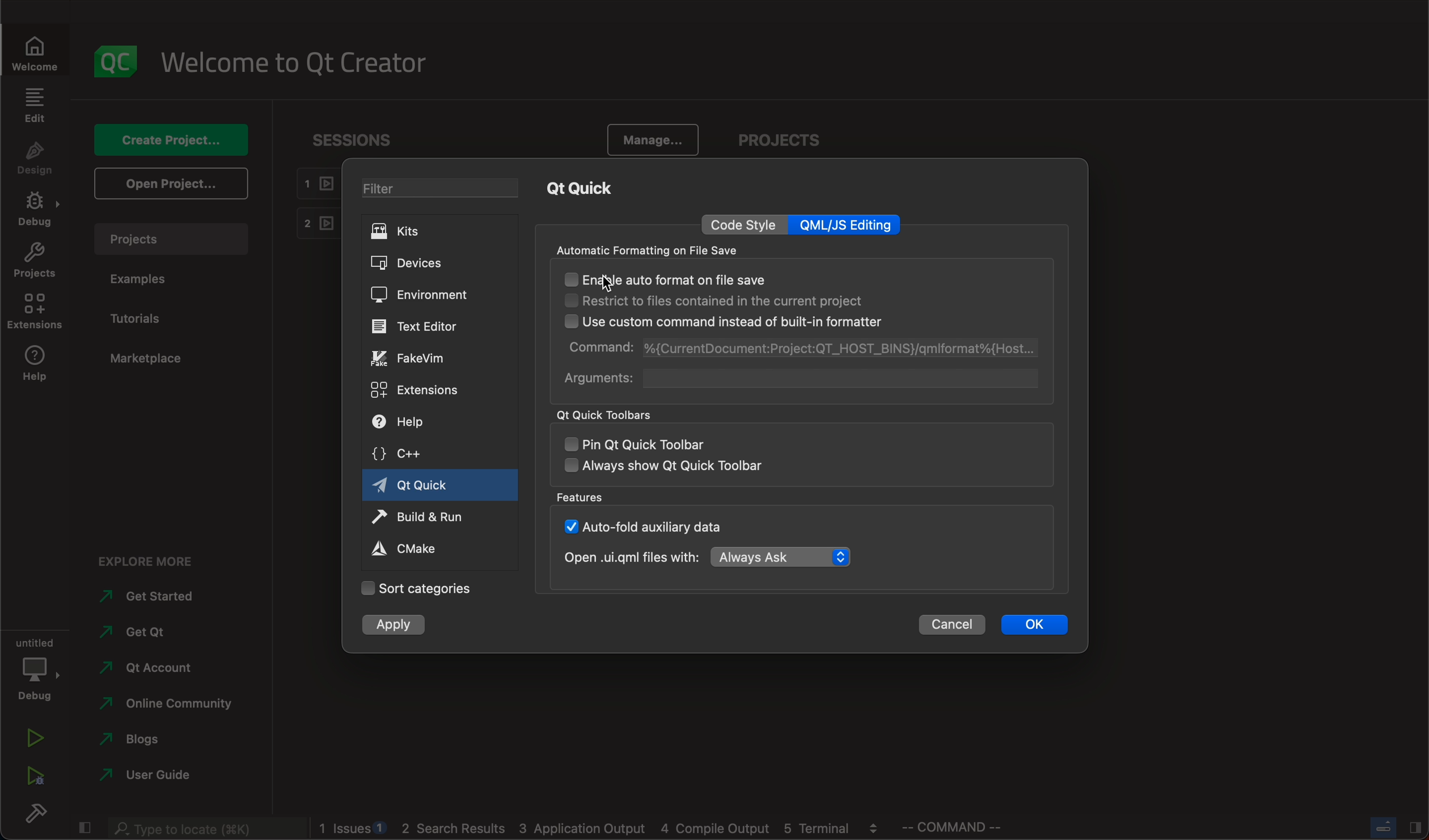 The image size is (1429, 840). What do you see at coordinates (607, 414) in the screenshot?
I see `qt quick` at bounding box center [607, 414].